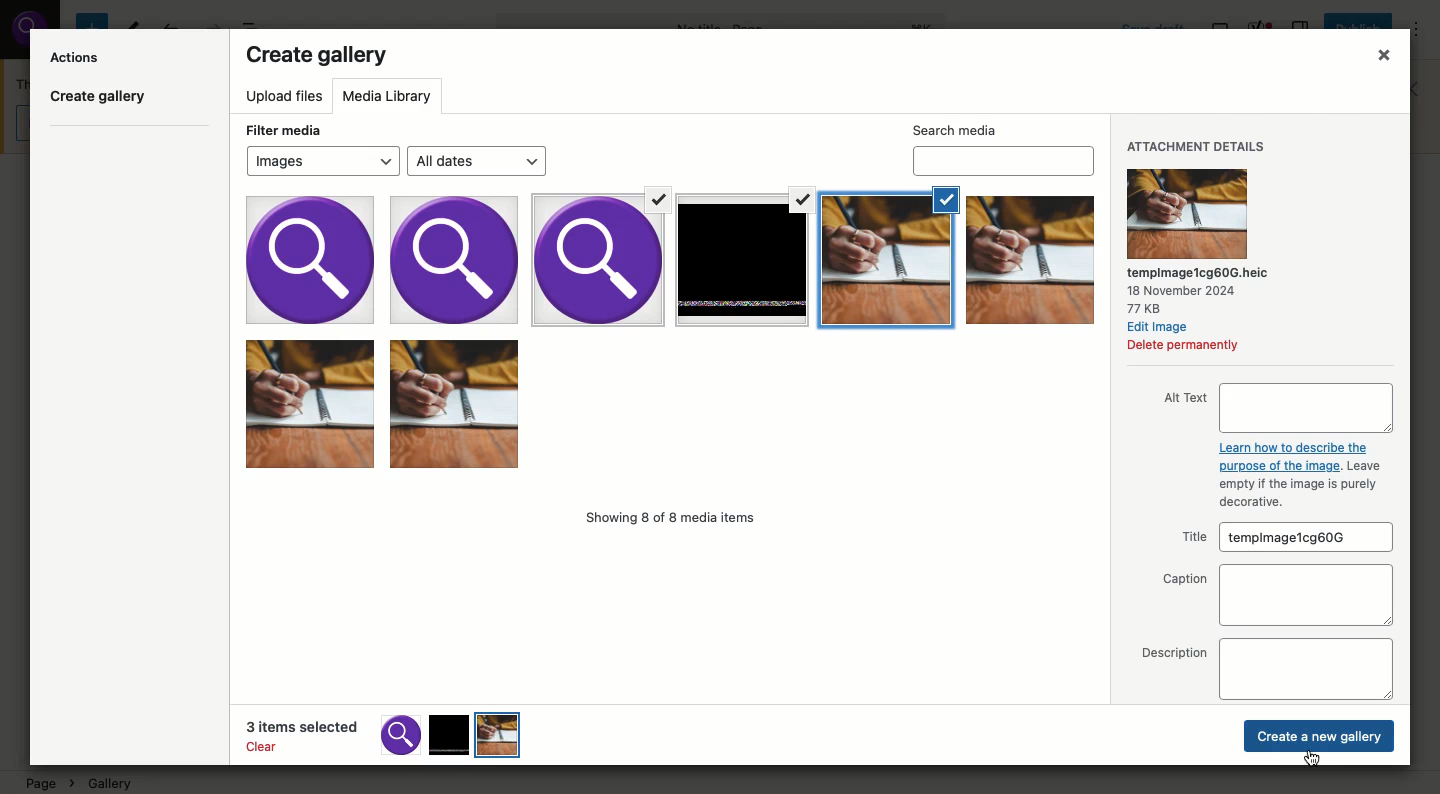 The image size is (1440, 794). Describe the element at coordinates (672, 409) in the screenshot. I see `Images` at that location.